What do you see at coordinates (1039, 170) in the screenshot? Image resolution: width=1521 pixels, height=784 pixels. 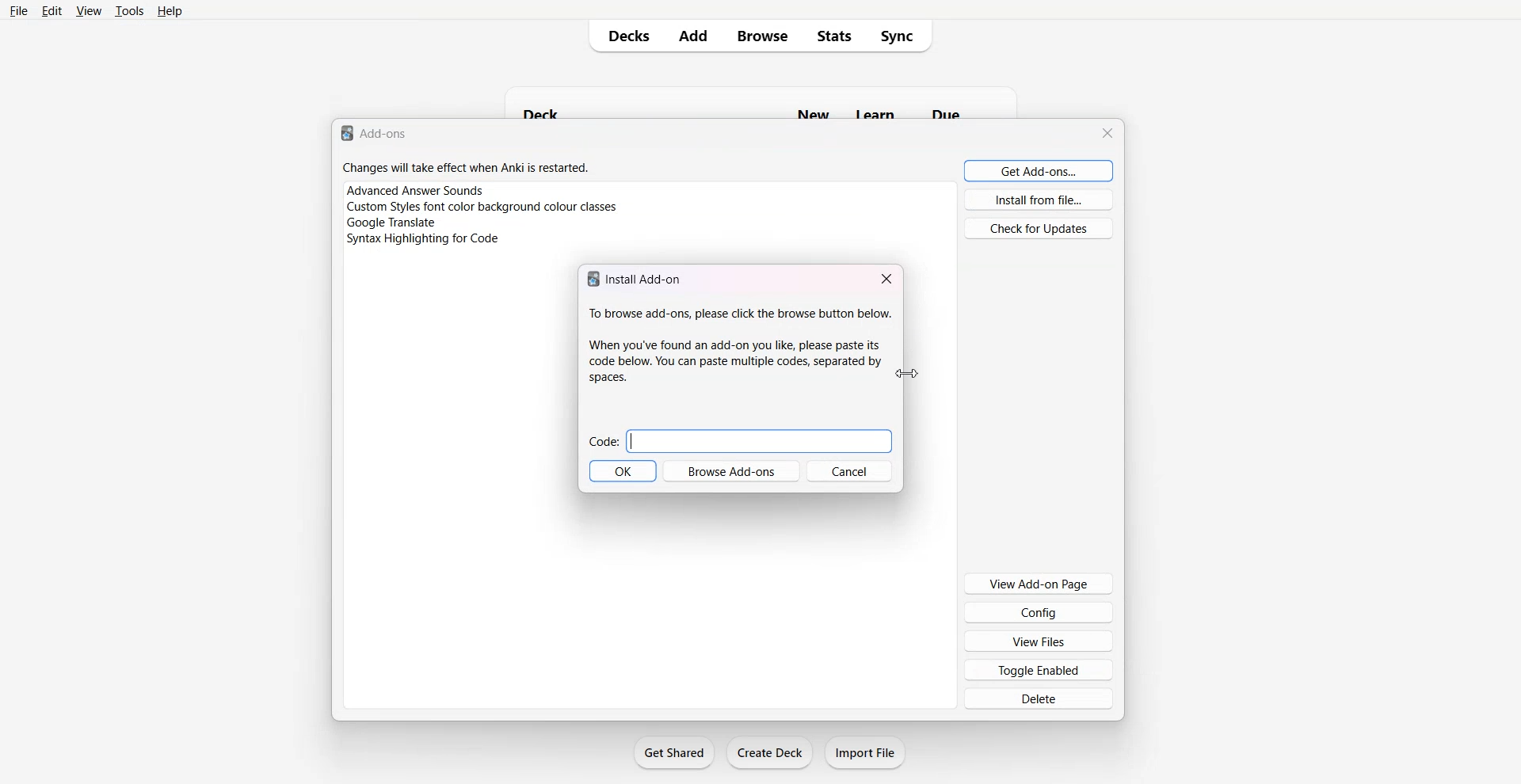 I see `Get Add-ons` at bounding box center [1039, 170].